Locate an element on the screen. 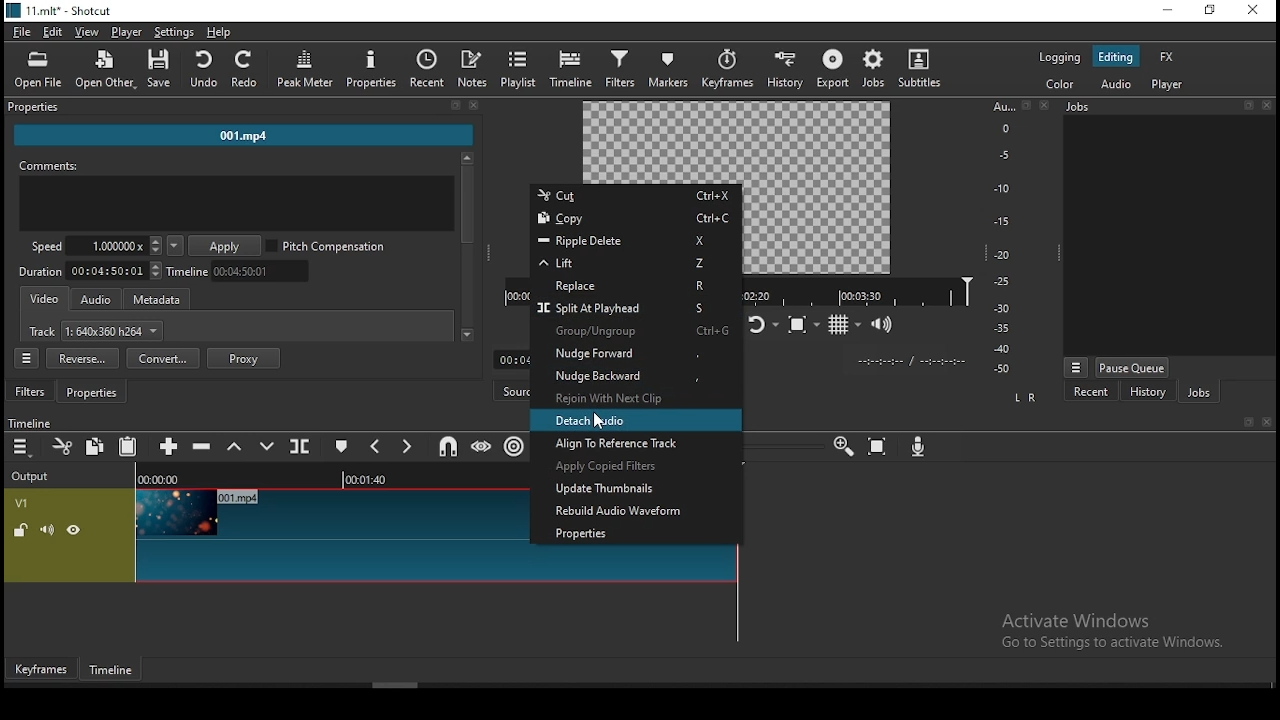  ripple/delete is located at coordinates (631, 240).